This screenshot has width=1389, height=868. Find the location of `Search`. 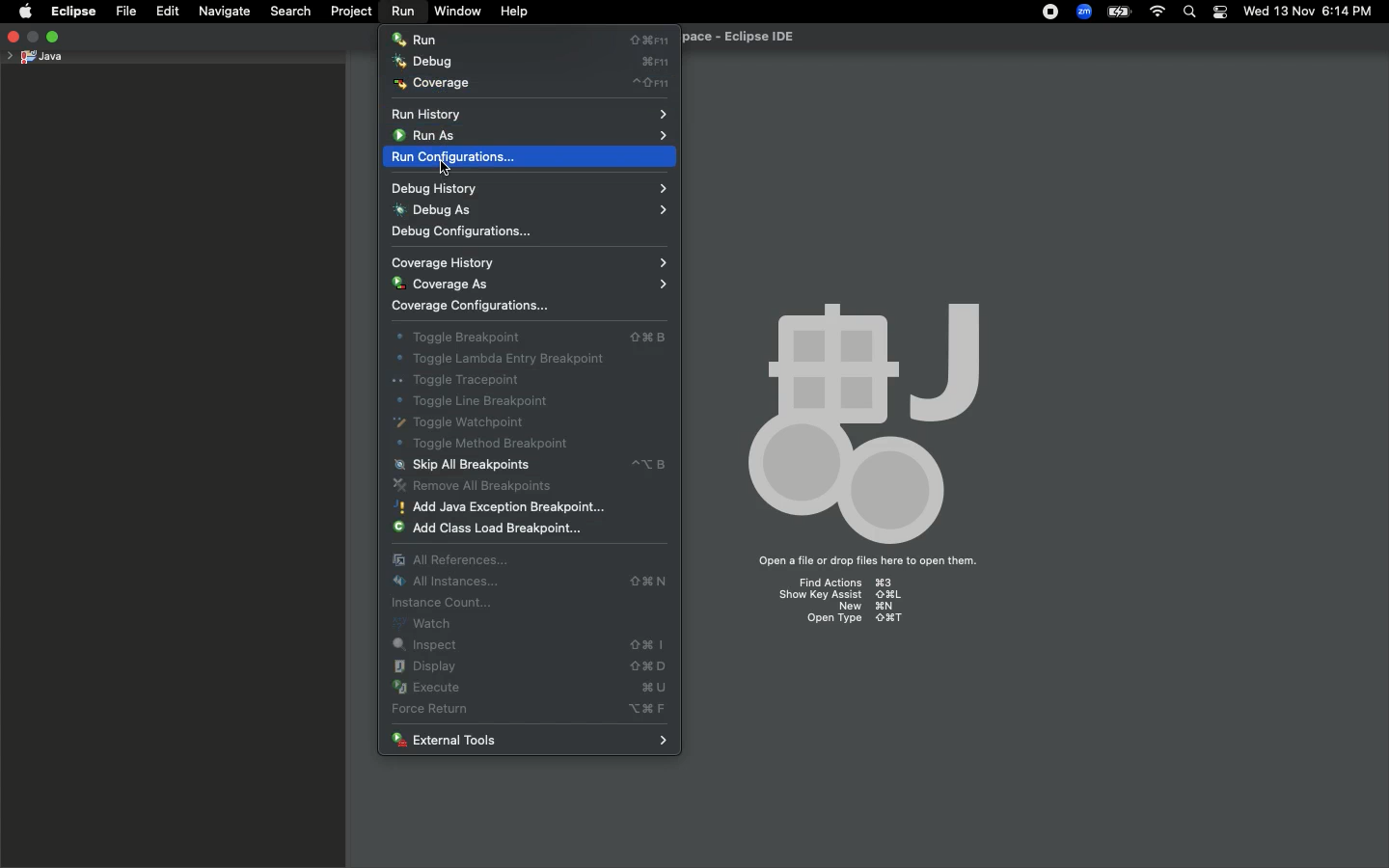

Search is located at coordinates (287, 13).